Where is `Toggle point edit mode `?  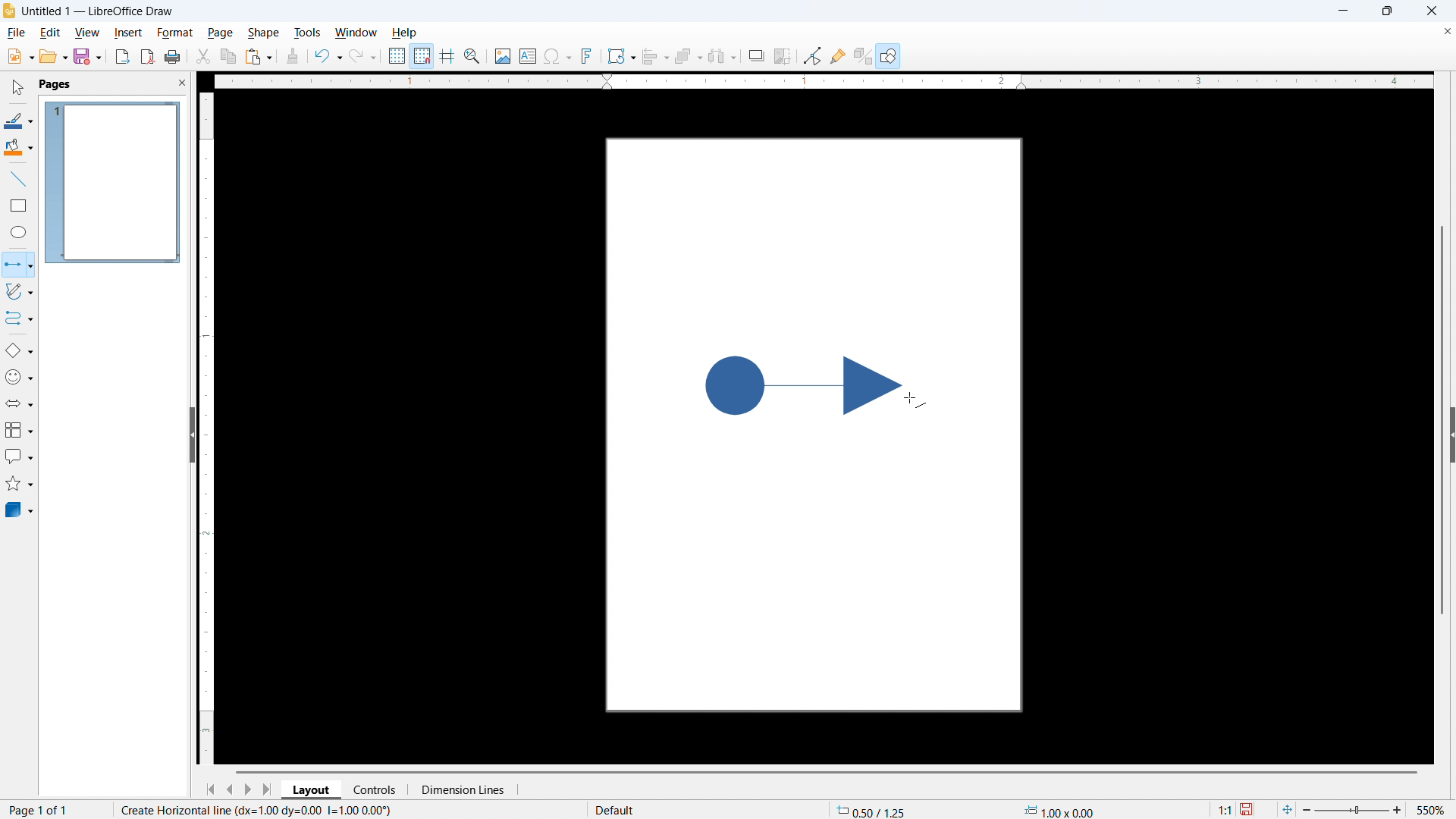 Toggle point edit mode  is located at coordinates (813, 55).